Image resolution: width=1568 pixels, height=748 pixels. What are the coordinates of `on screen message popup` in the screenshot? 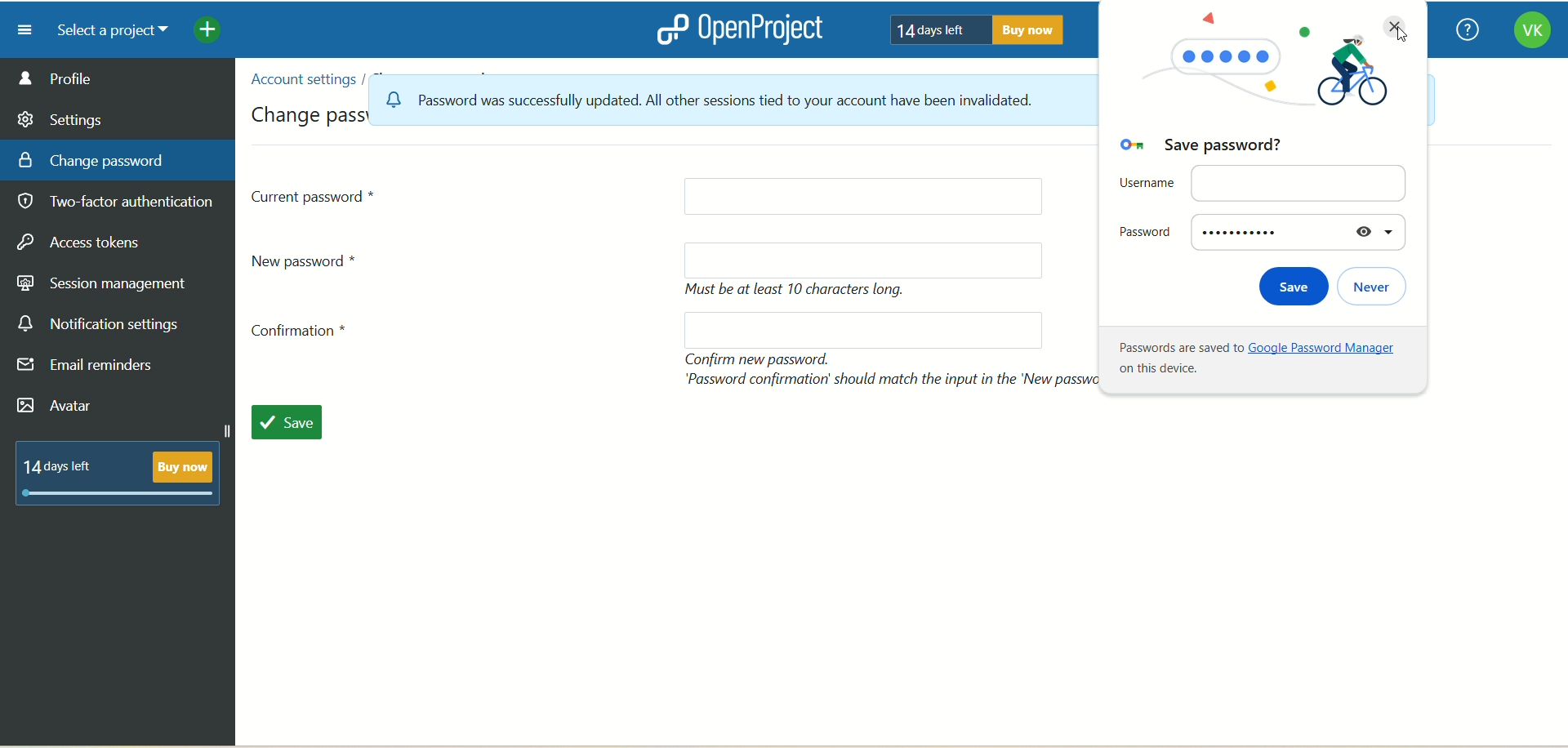 It's located at (703, 99).